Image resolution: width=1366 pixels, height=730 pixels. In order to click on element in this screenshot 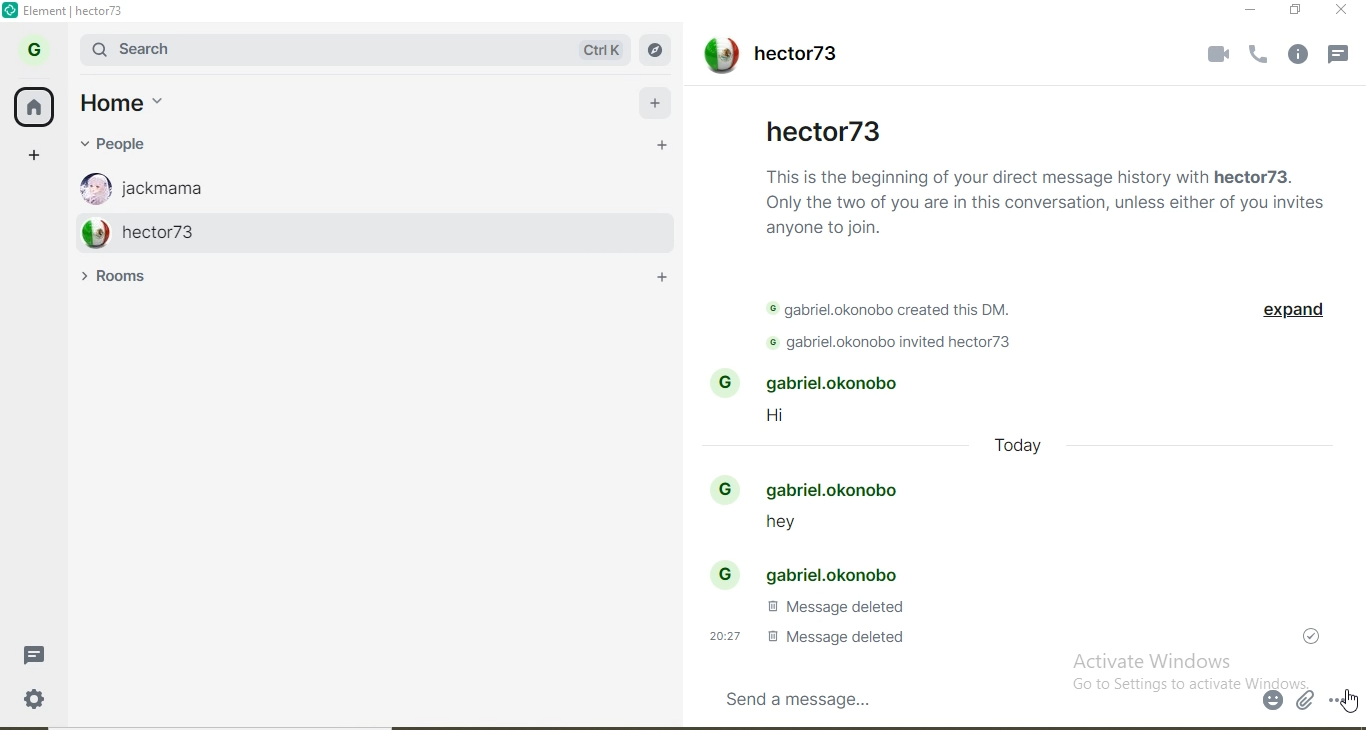, I will do `click(74, 11)`.